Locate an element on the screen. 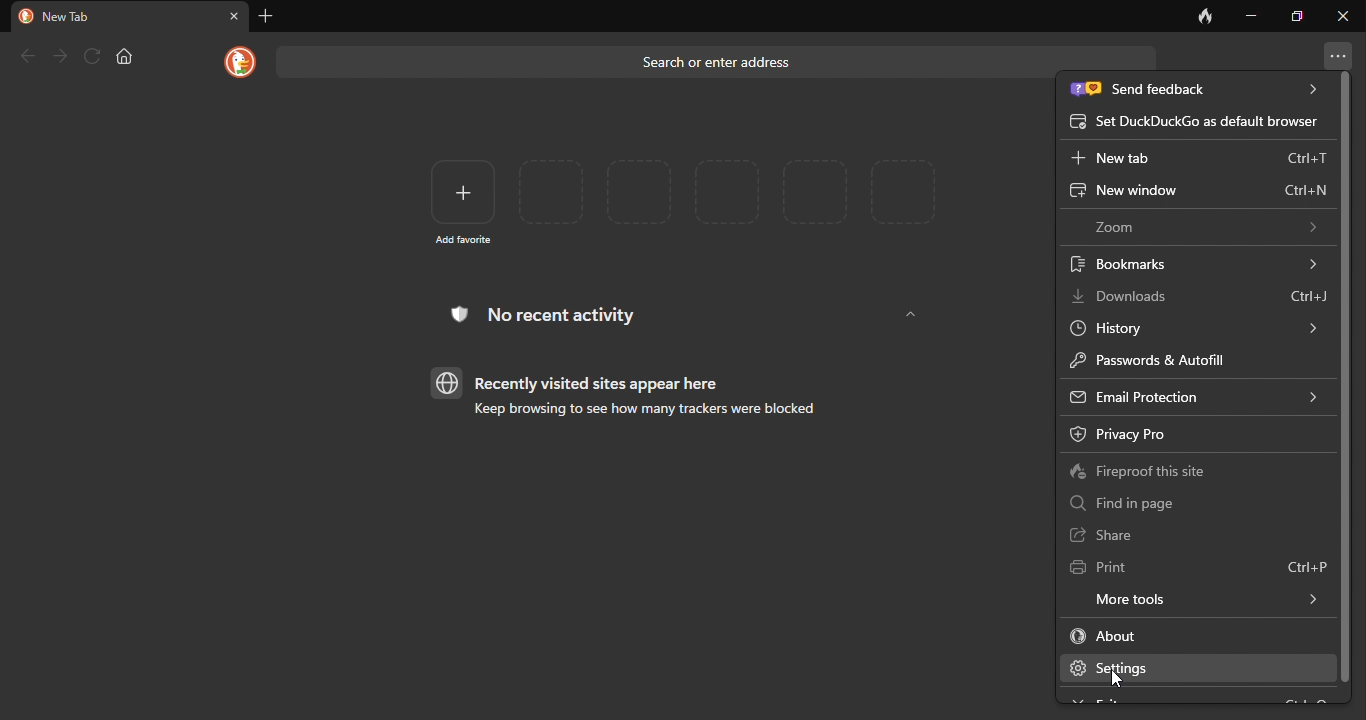 The height and width of the screenshot is (720, 1366). set as default is located at coordinates (1194, 121).